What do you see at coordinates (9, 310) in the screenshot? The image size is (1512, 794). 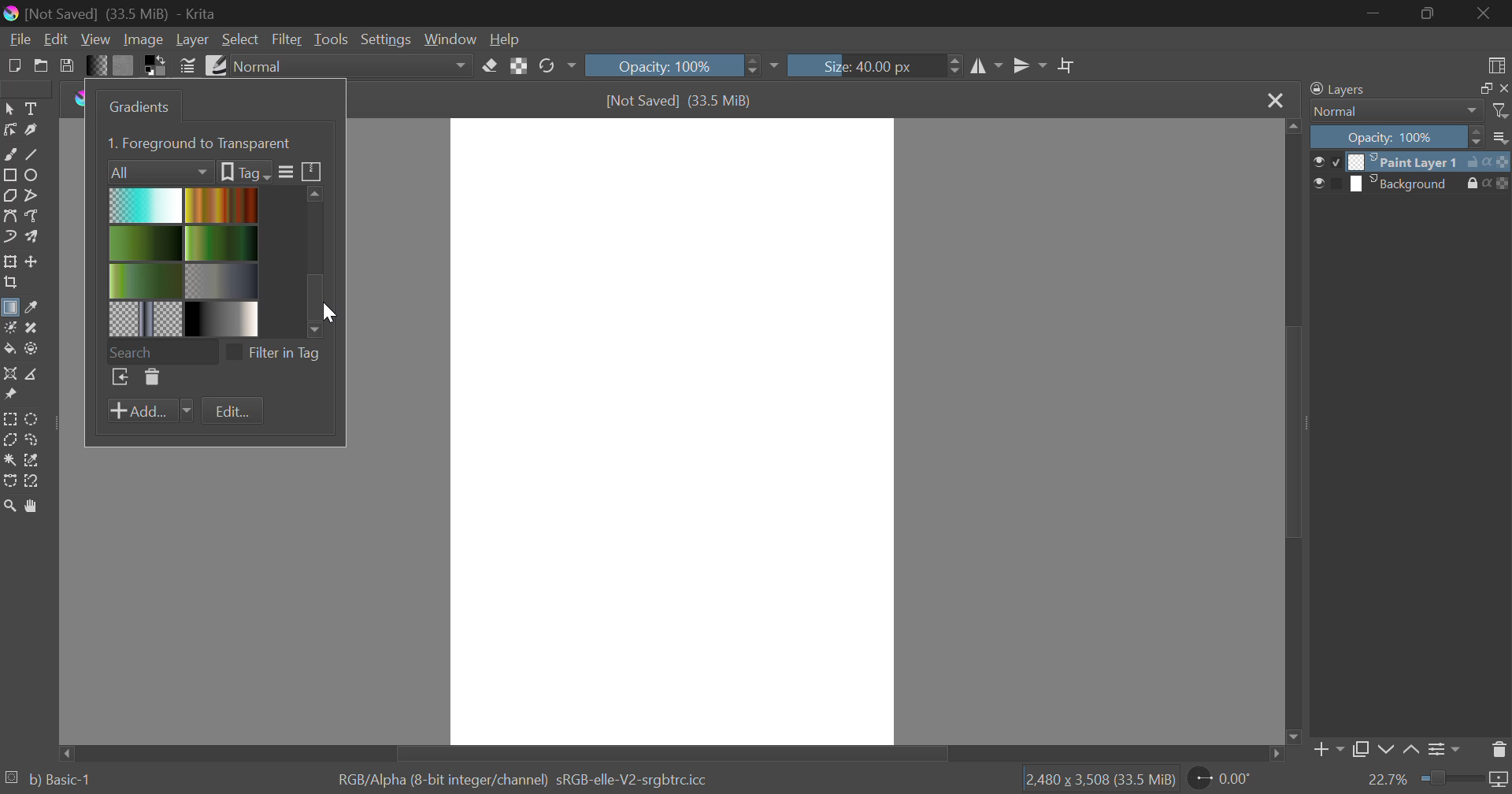 I see `Gradient Fill` at bounding box center [9, 310].